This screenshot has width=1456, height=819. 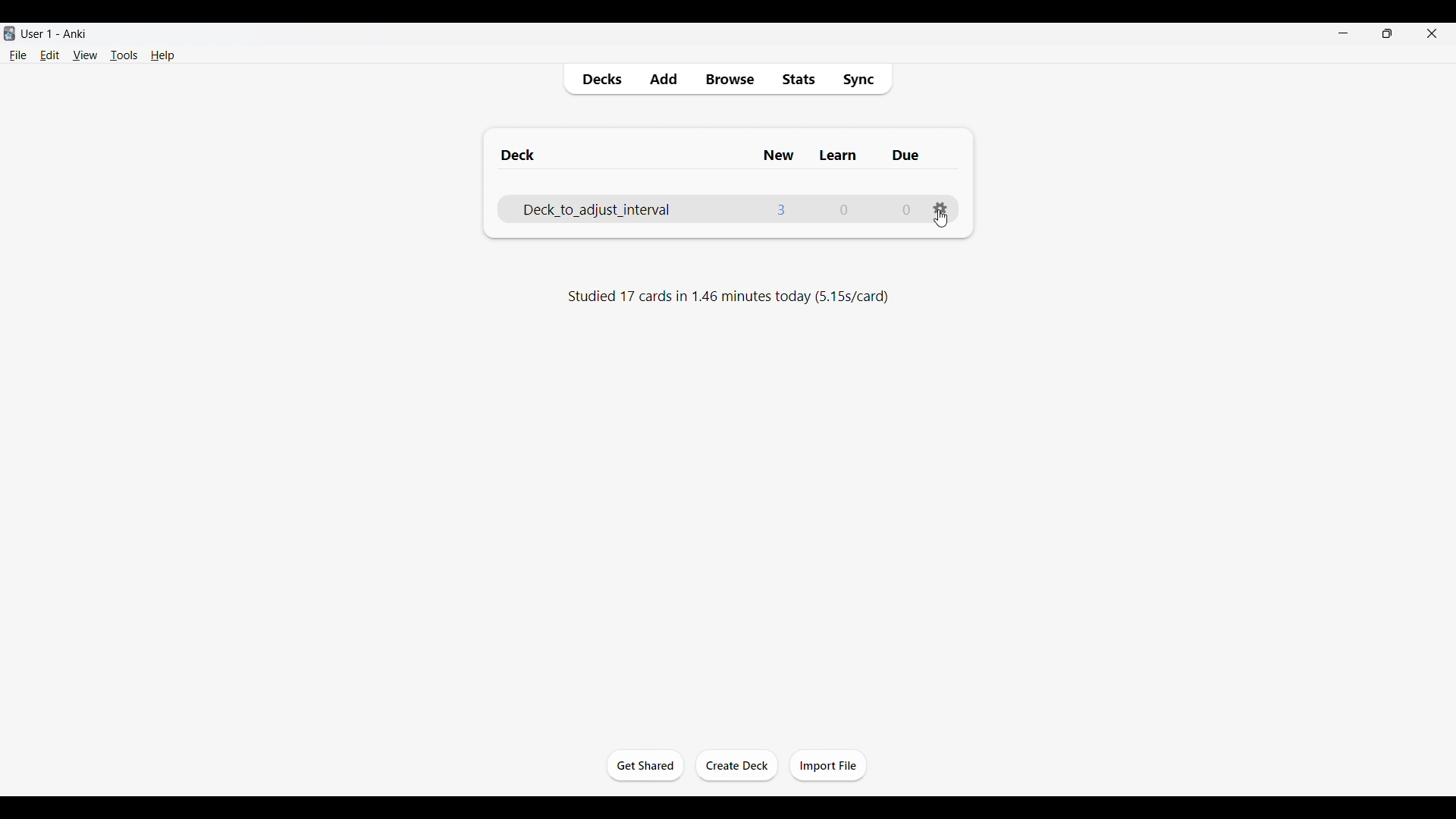 I want to click on View menu, so click(x=85, y=55).